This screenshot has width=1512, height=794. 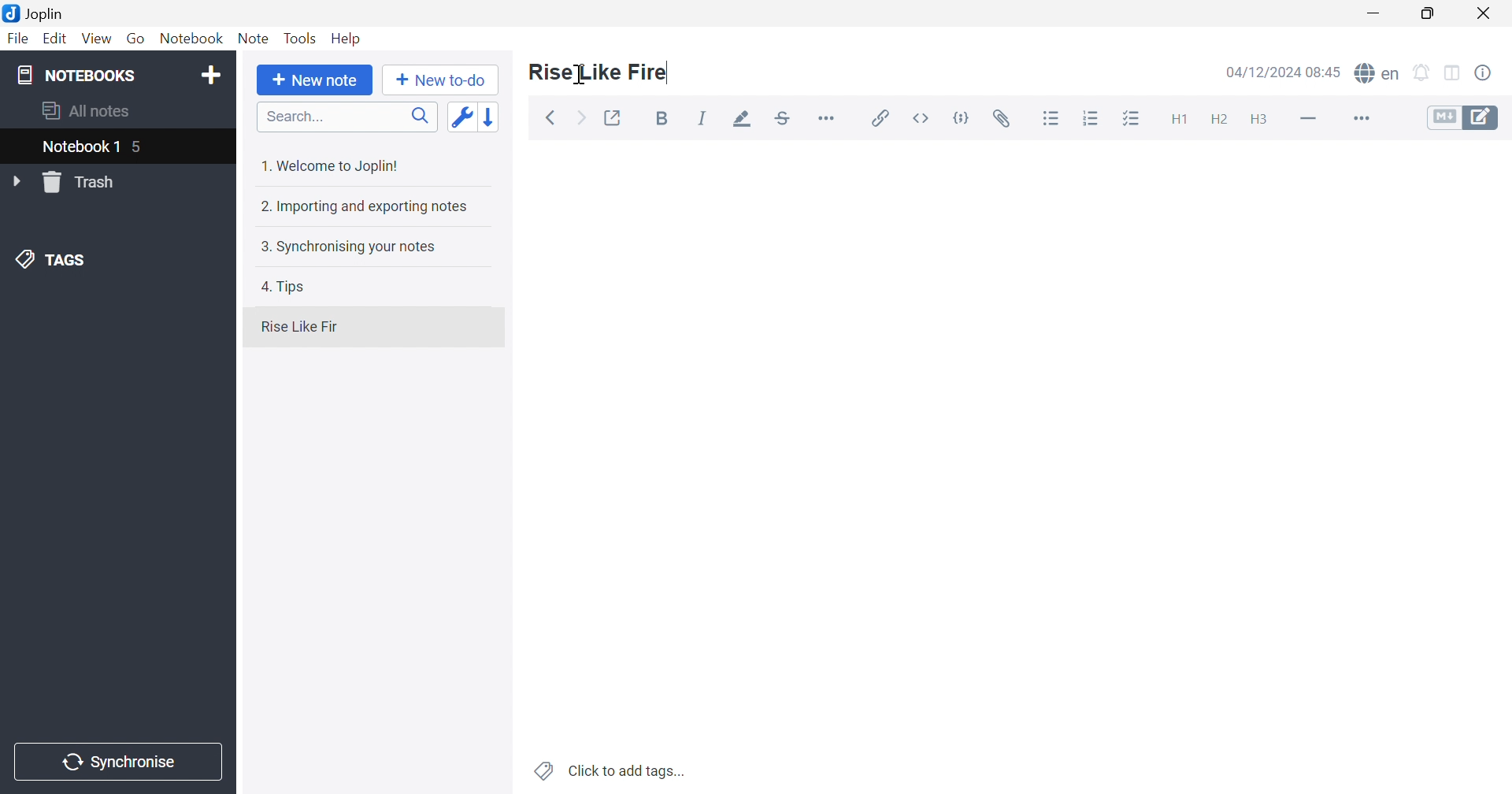 I want to click on Toggle external editing, so click(x=613, y=117).